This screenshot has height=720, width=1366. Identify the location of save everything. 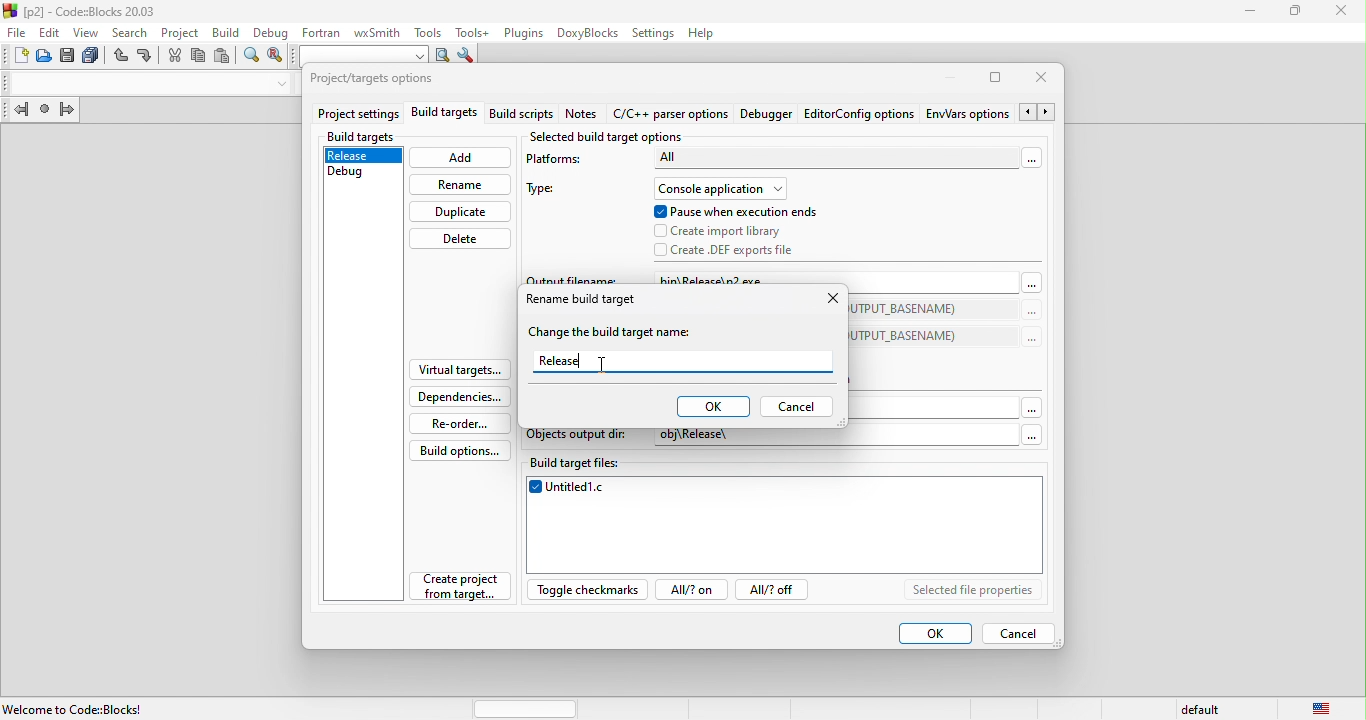
(94, 57).